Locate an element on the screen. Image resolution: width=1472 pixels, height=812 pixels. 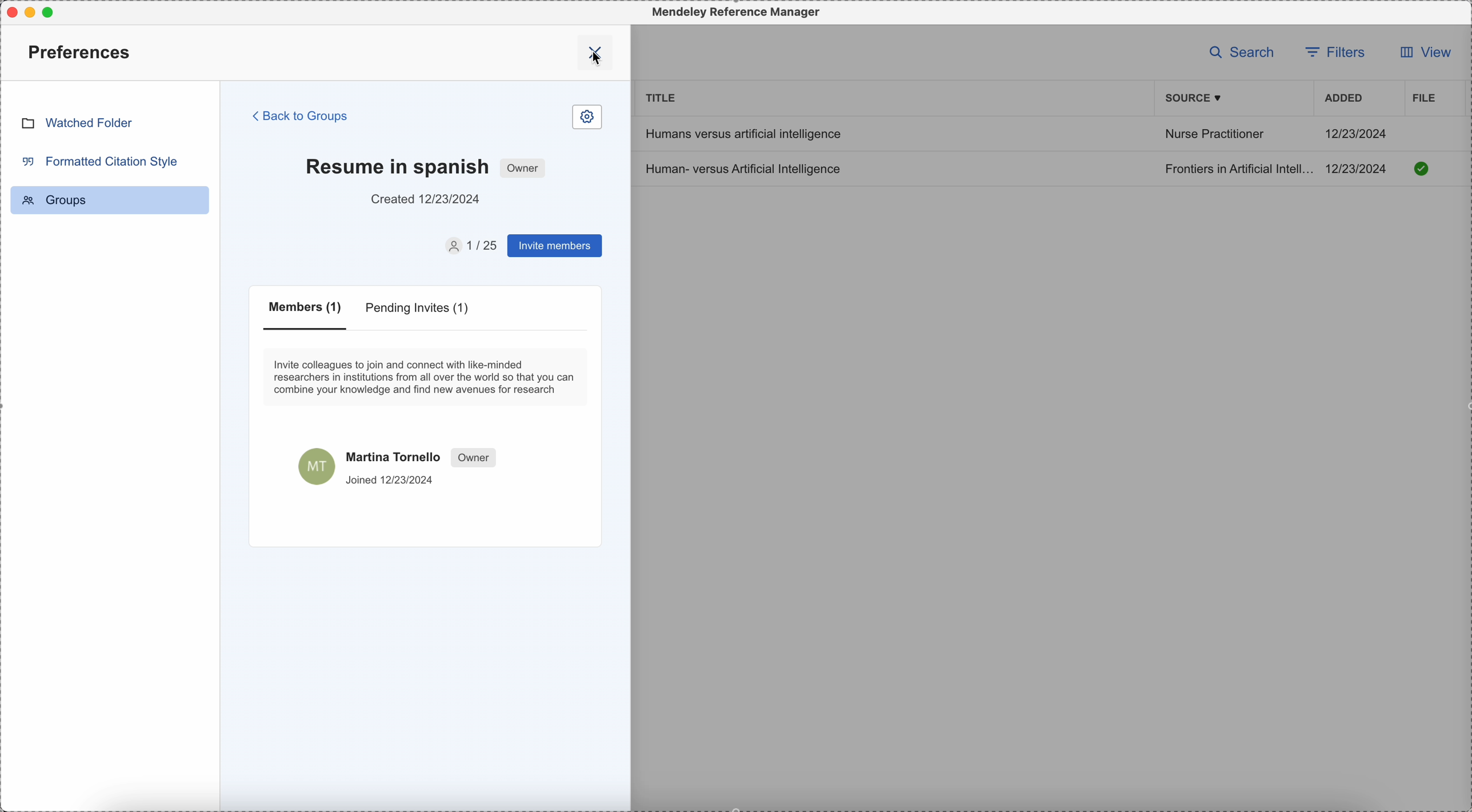
Humans versus artificial intelligence is located at coordinates (742, 133).